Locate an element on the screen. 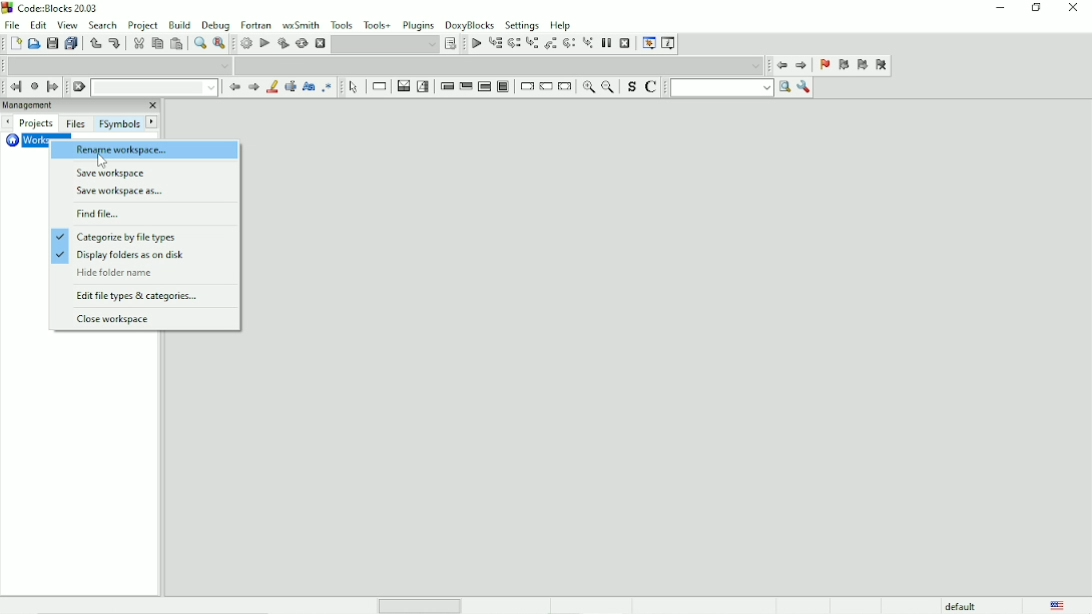  Zoom in is located at coordinates (588, 88).